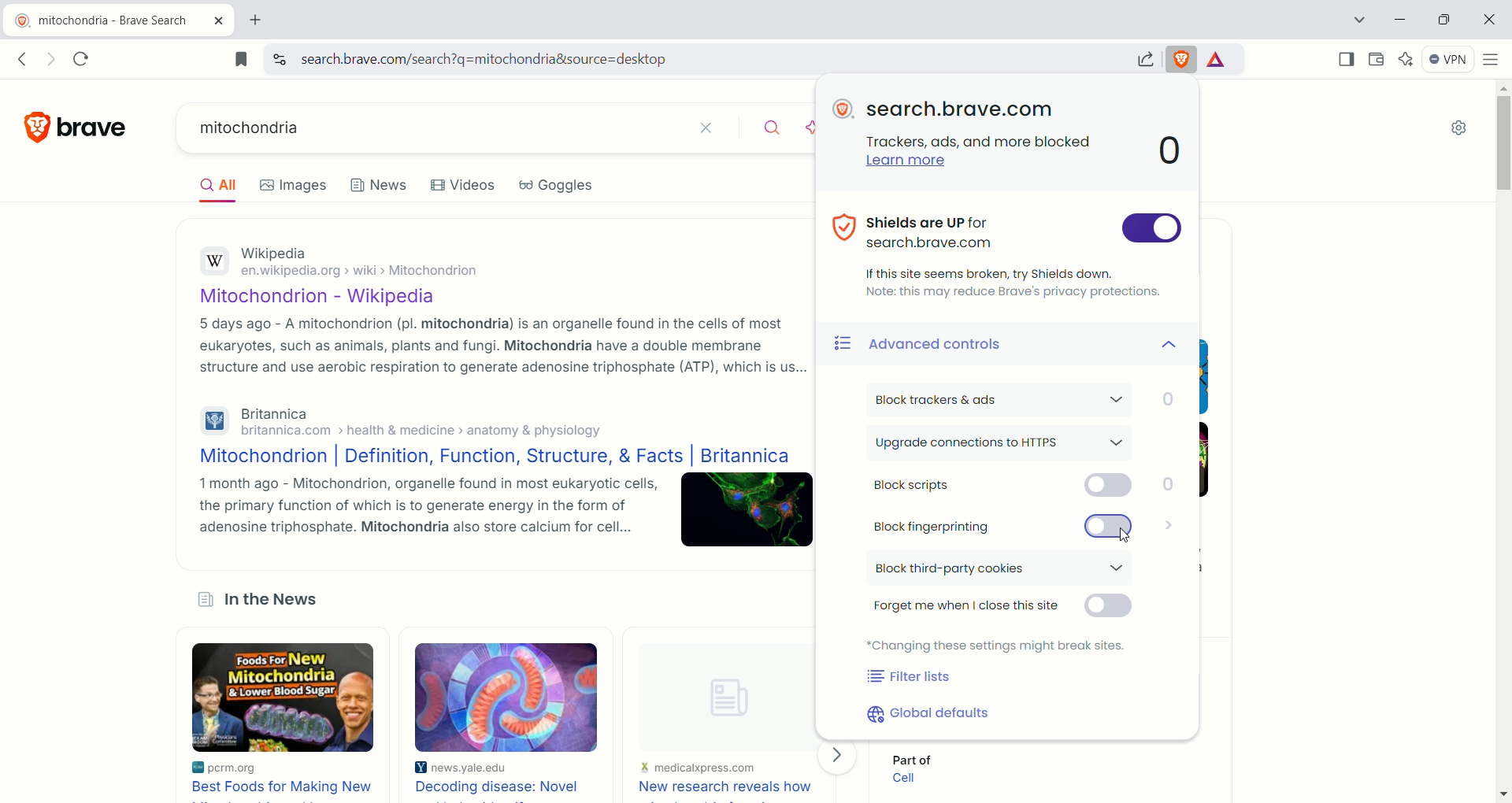 The image size is (1512, 803). Describe the element at coordinates (1358, 22) in the screenshot. I see `search tab` at that location.